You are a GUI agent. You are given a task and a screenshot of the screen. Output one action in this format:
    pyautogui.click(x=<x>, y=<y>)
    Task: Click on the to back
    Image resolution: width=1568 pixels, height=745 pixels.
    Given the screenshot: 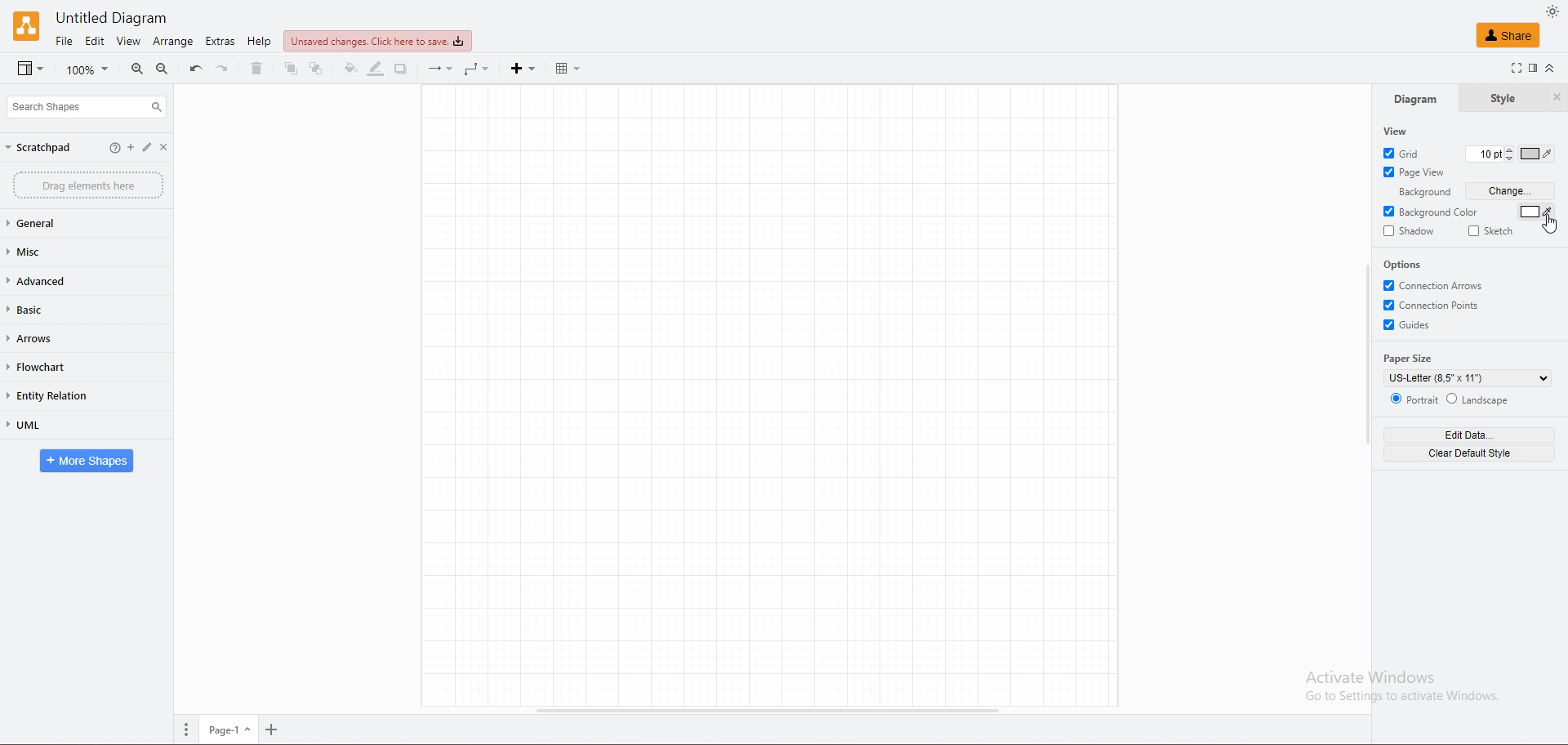 What is the action you would take?
    pyautogui.click(x=317, y=69)
    